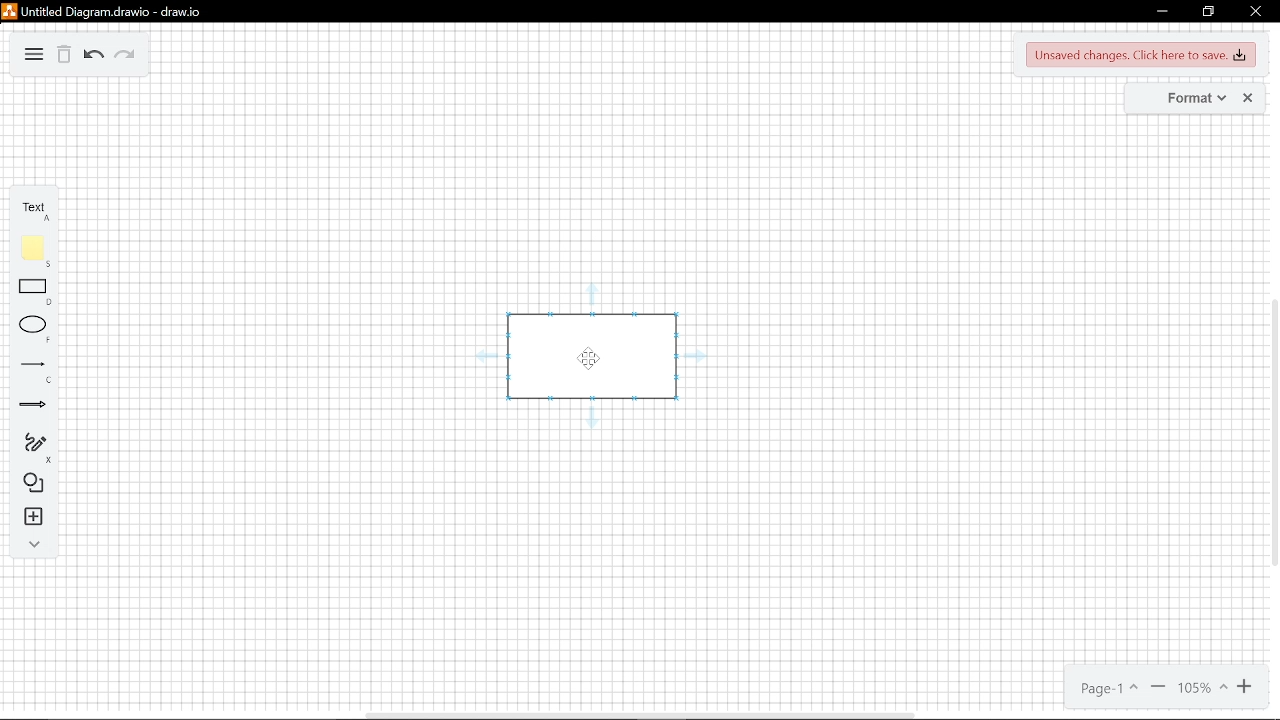 The image size is (1280, 720). Describe the element at coordinates (1245, 686) in the screenshot. I see `current zoom` at that location.